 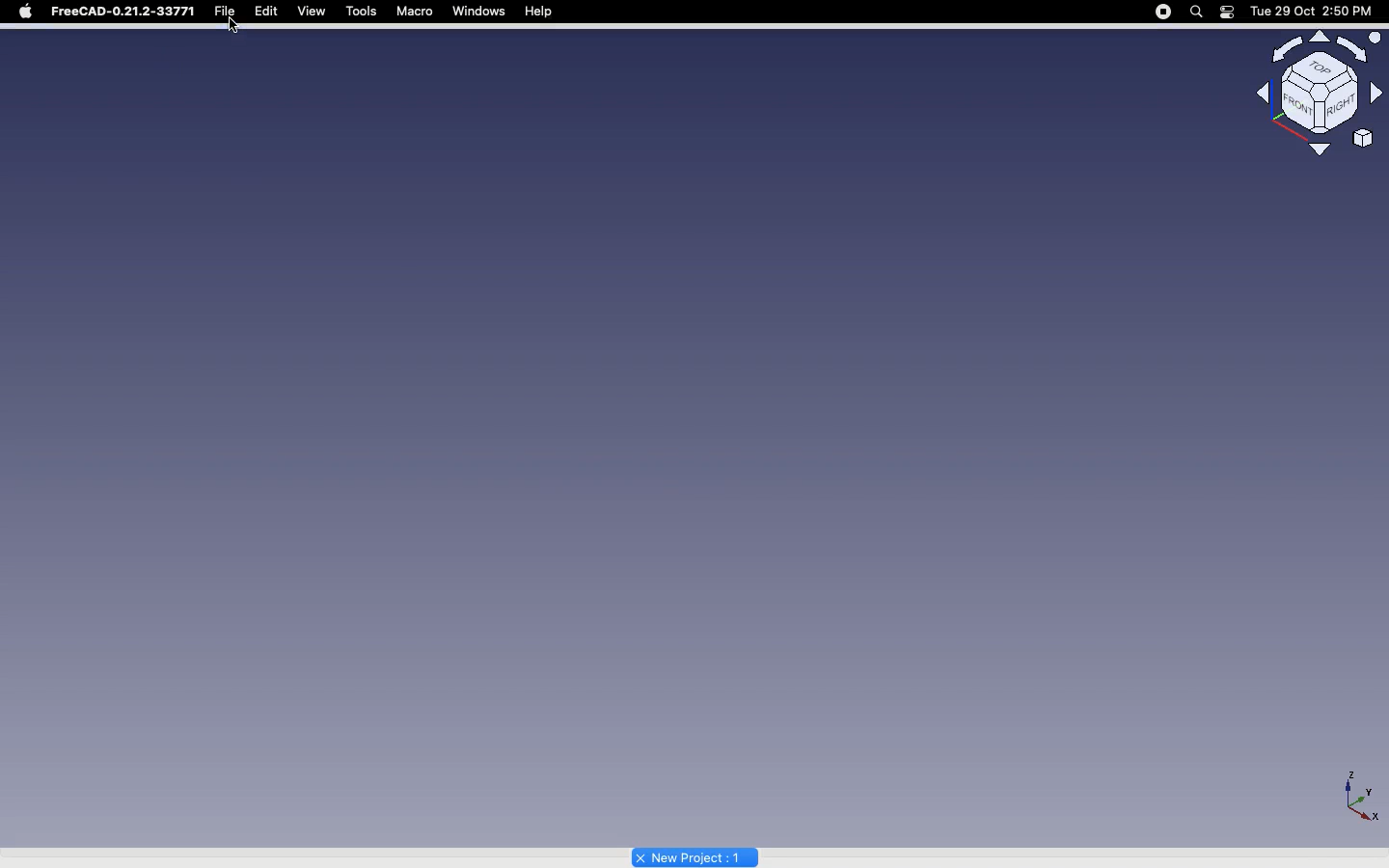 I want to click on Navigation styles, so click(x=1318, y=93).